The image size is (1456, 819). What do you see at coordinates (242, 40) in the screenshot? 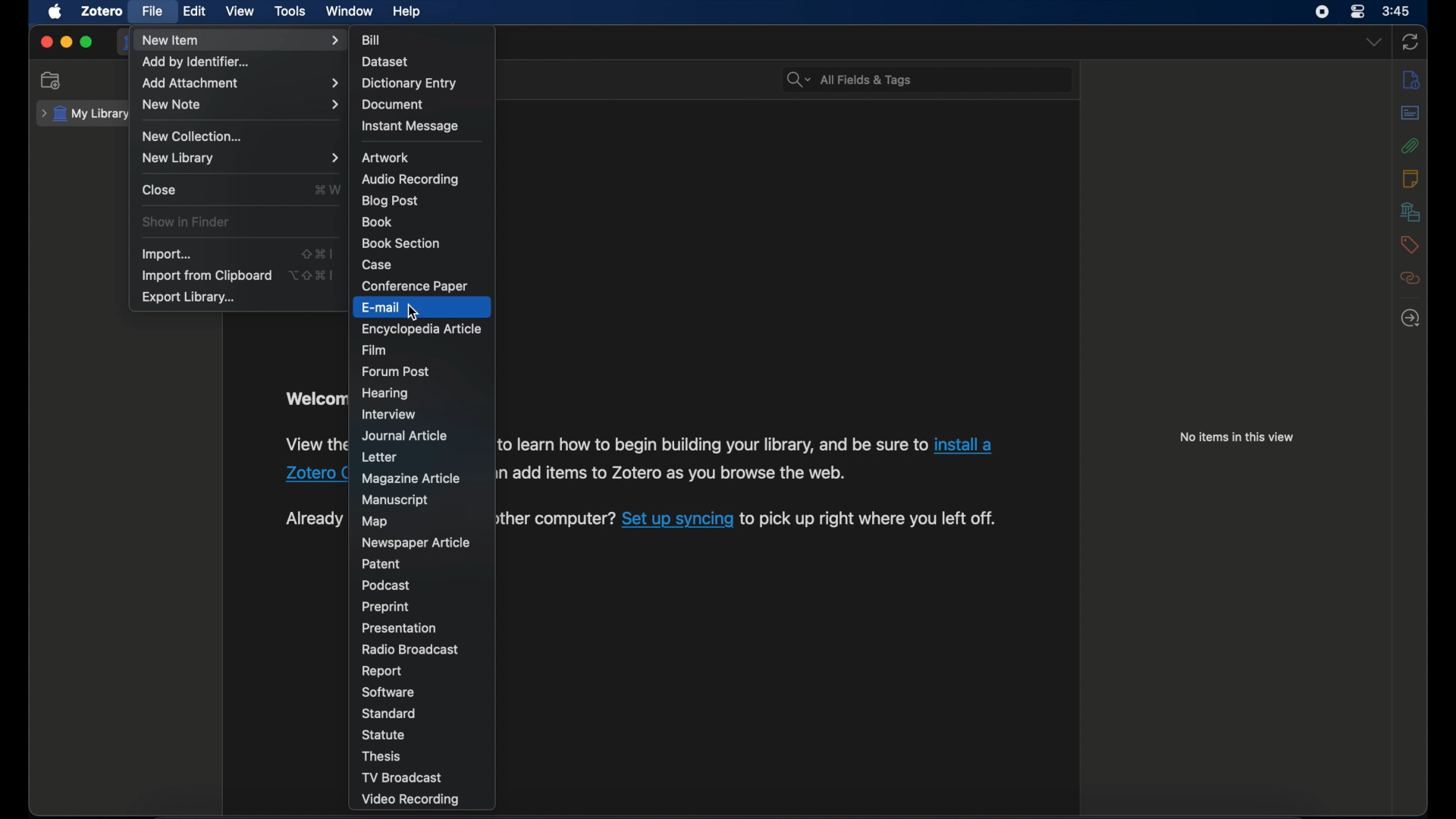
I see `new item` at bounding box center [242, 40].